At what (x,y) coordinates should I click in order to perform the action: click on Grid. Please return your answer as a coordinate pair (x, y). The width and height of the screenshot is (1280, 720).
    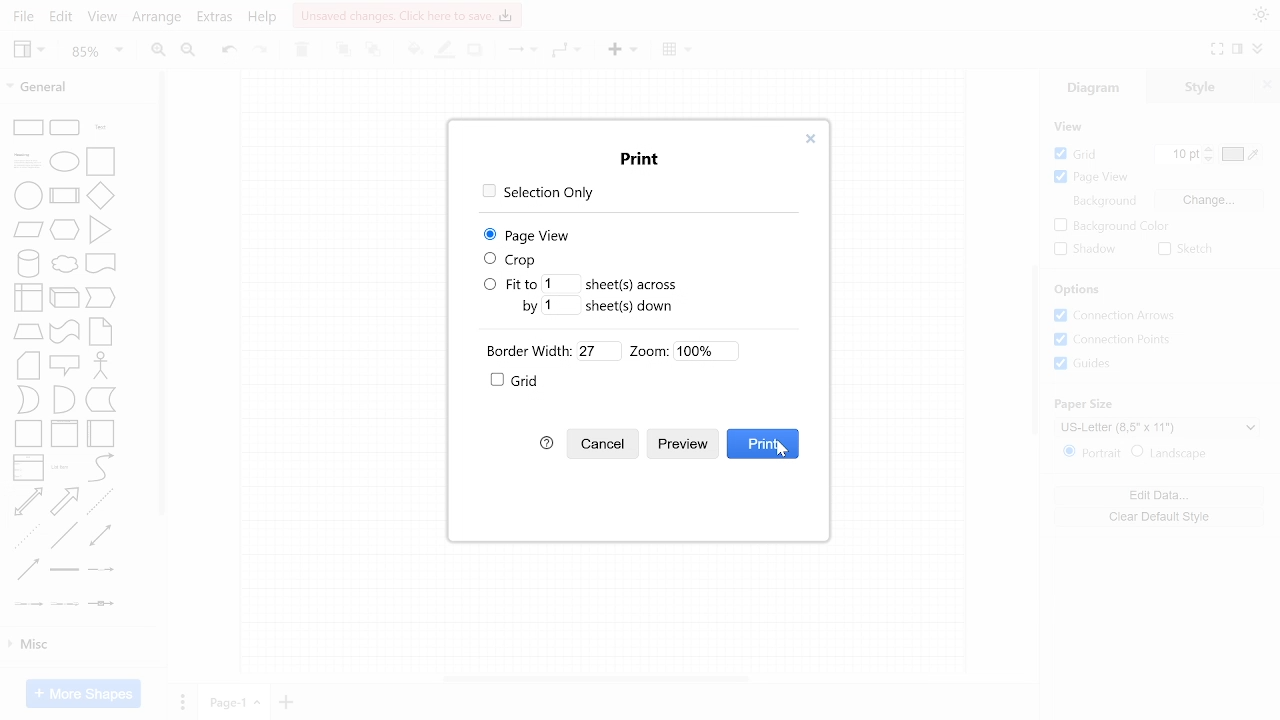
    Looking at the image, I should click on (523, 380).